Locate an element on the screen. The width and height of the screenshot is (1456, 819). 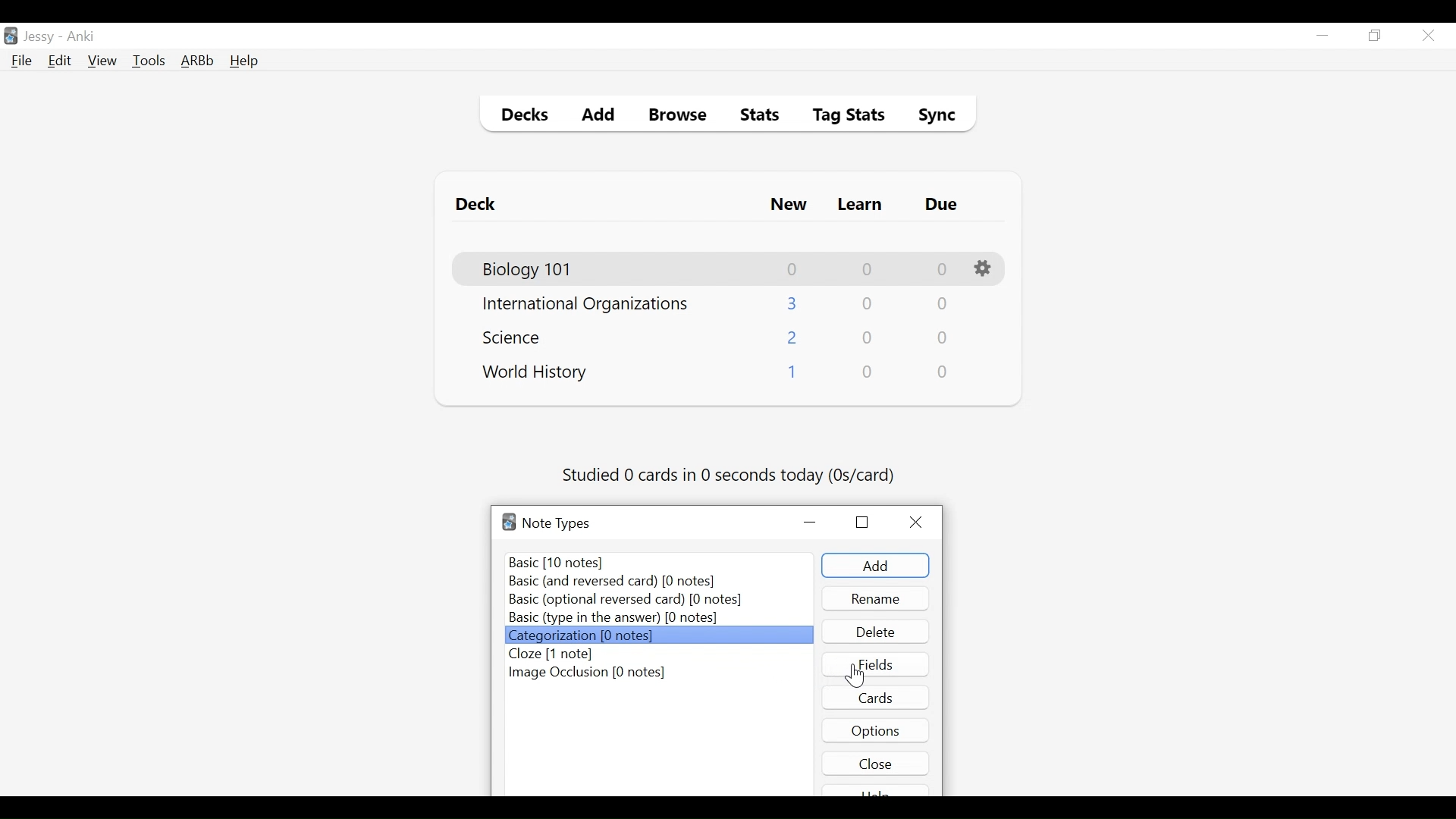
Studied number of cards in second today (os/card) is located at coordinates (730, 476).